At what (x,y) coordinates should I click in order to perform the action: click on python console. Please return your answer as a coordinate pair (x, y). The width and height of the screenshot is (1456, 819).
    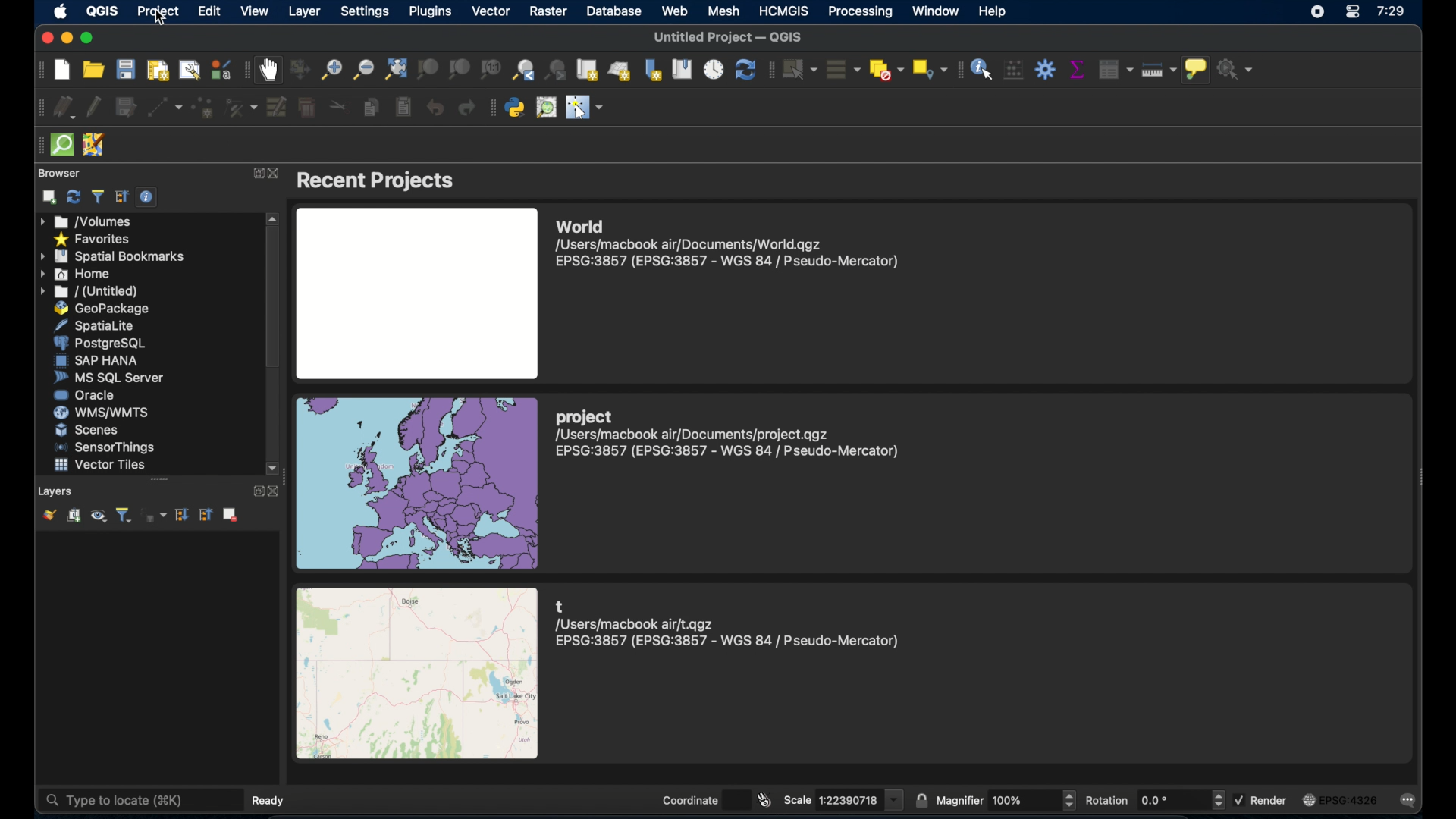
    Looking at the image, I should click on (516, 108).